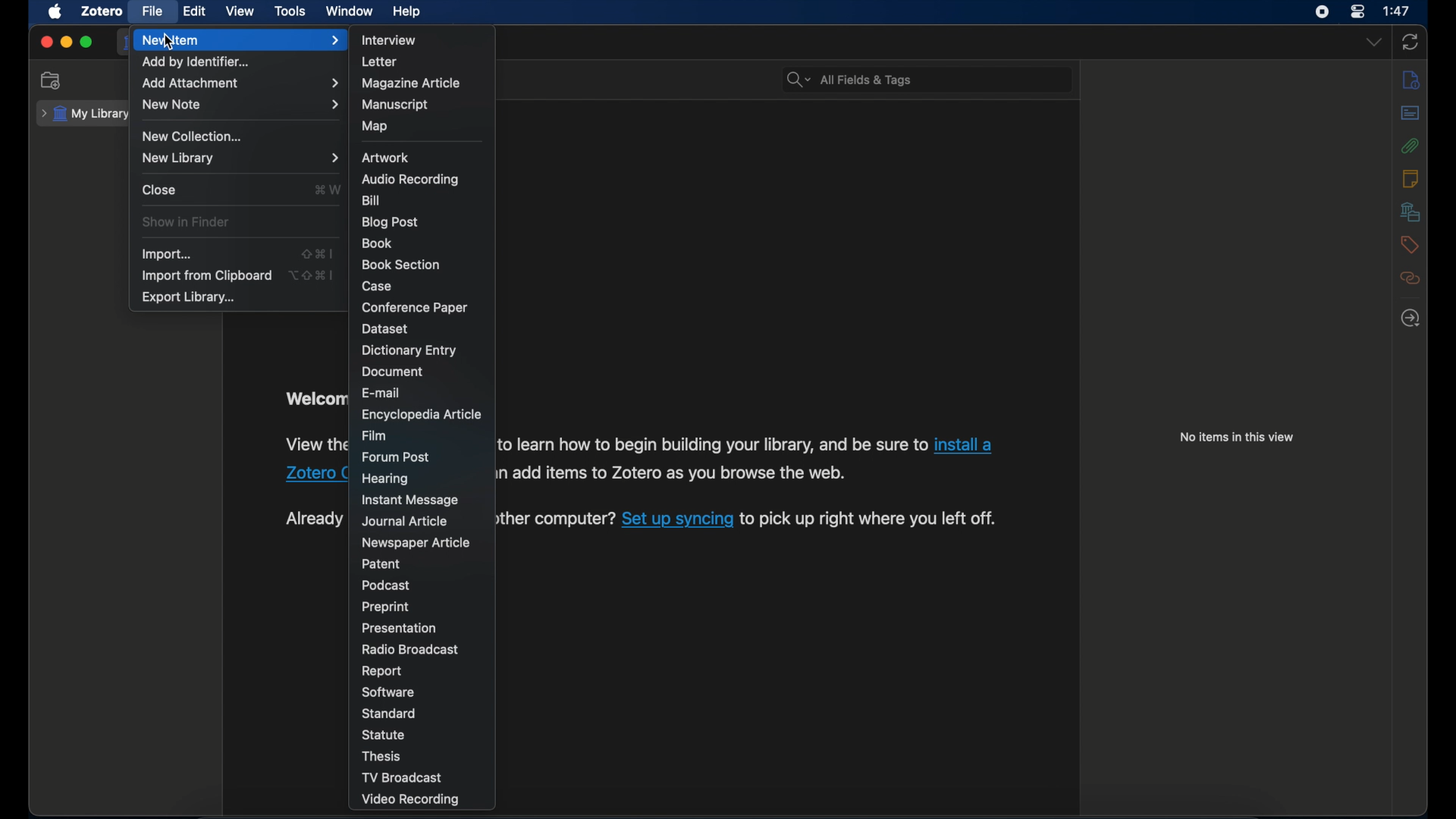  I want to click on help, so click(406, 12).